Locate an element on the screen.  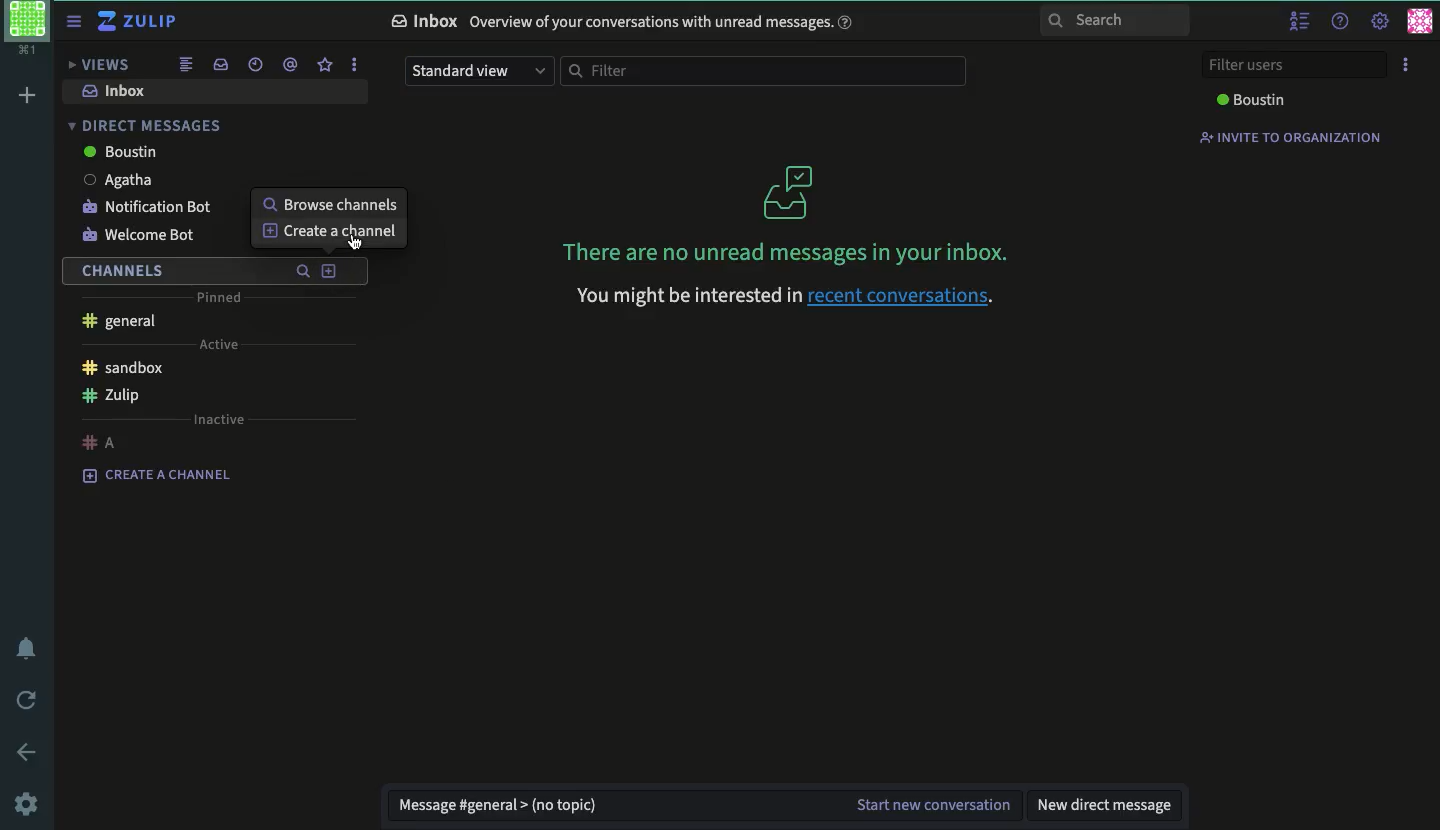
channels is located at coordinates (114, 269).